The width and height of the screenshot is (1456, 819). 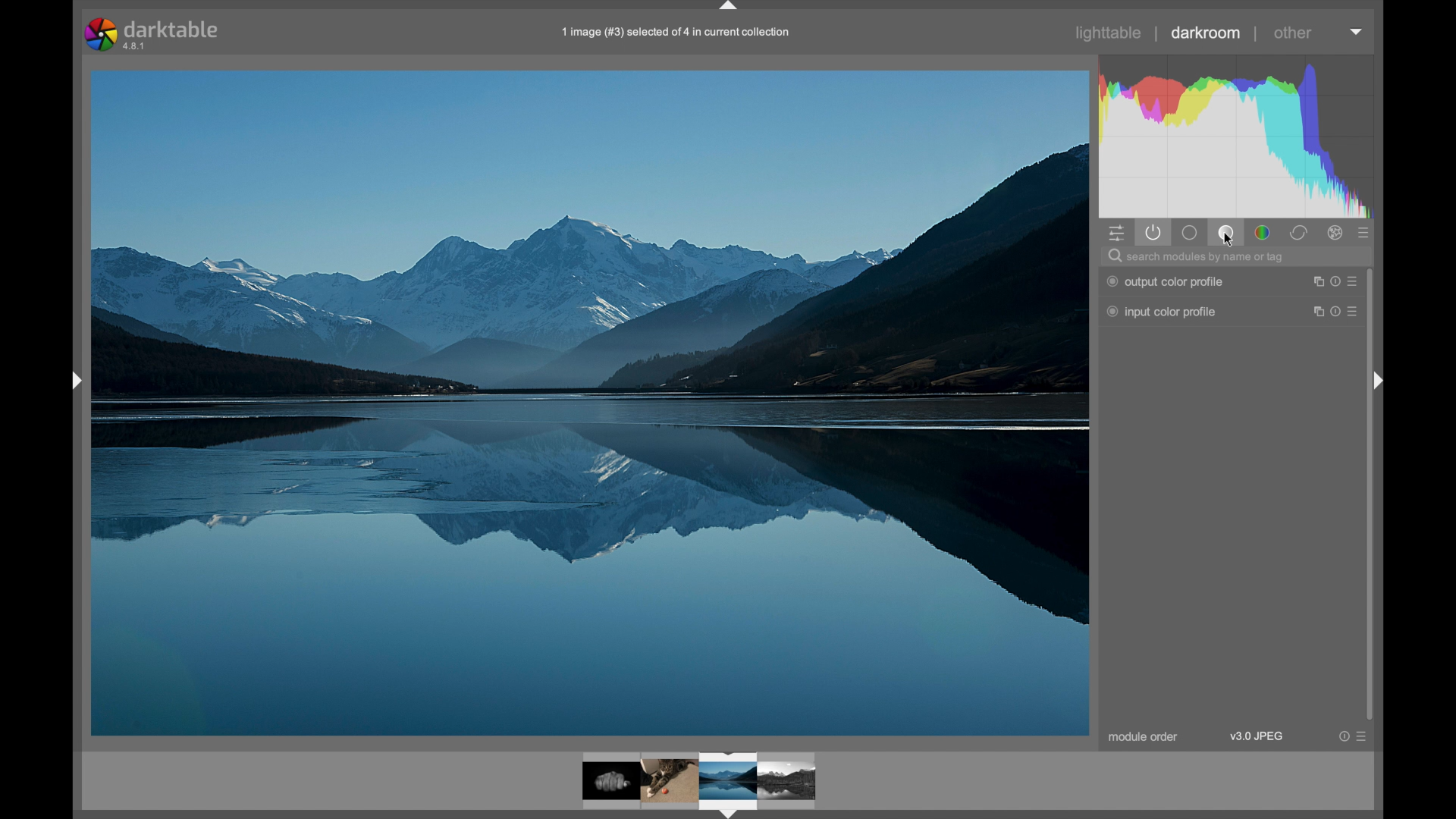 I want to click on histogram, so click(x=1357, y=32).